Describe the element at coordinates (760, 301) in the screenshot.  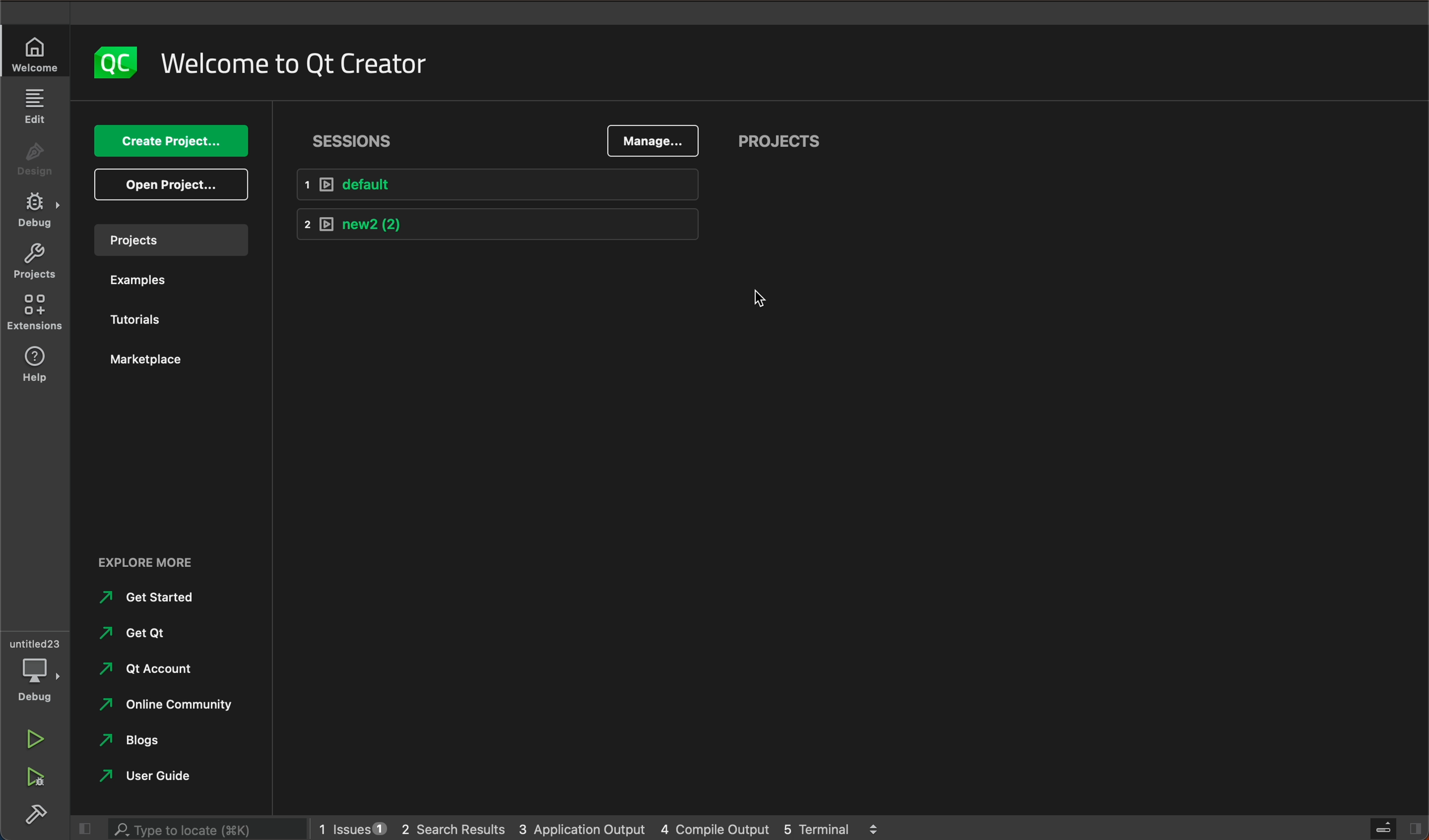
I see `mouse pointer` at that location.